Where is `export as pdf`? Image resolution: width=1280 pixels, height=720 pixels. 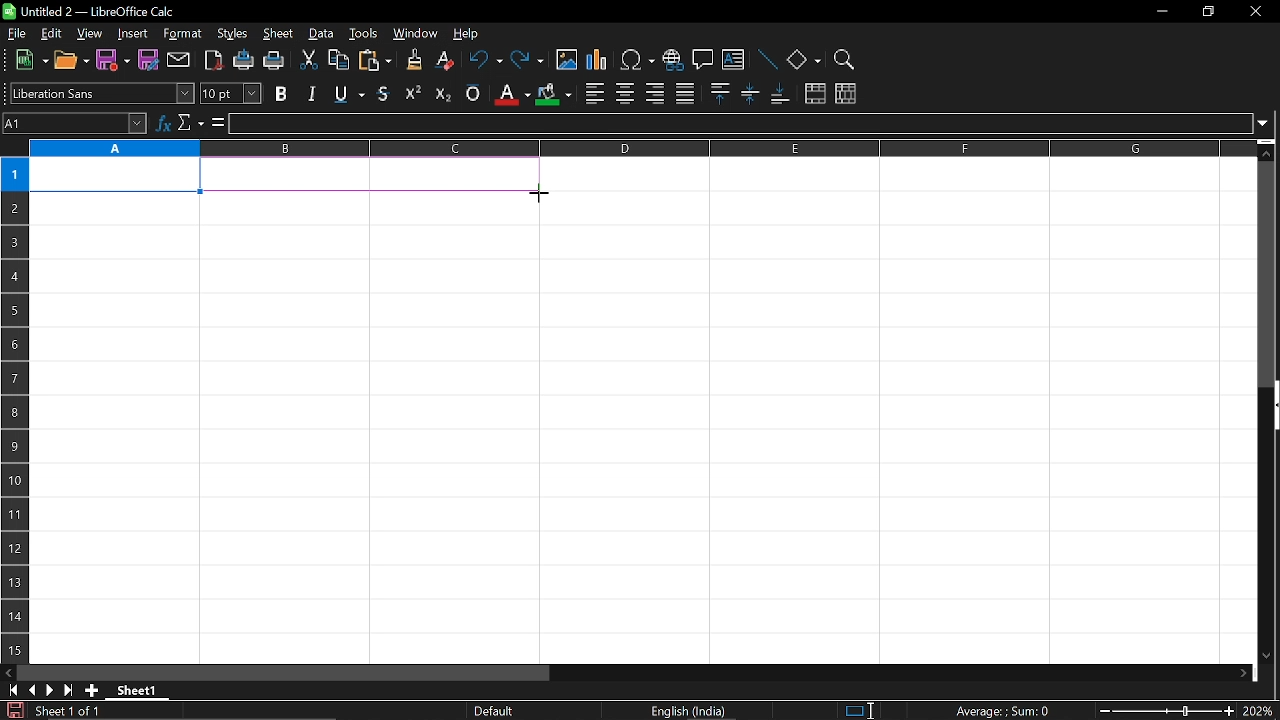 export as pdf is located at coordinates (210, 60).